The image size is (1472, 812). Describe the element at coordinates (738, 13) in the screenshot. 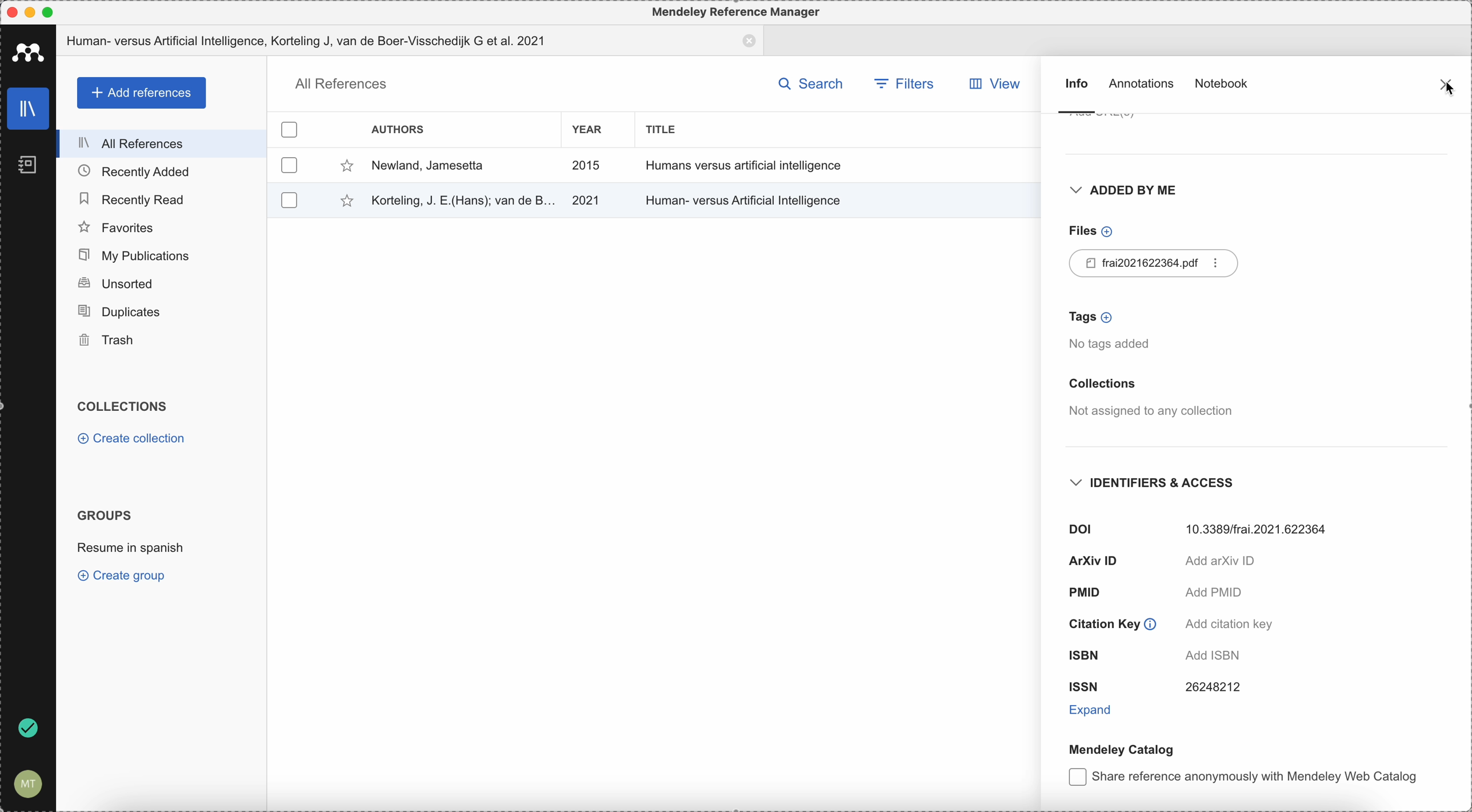

I see `Mendeley Reference Manager` at that location.